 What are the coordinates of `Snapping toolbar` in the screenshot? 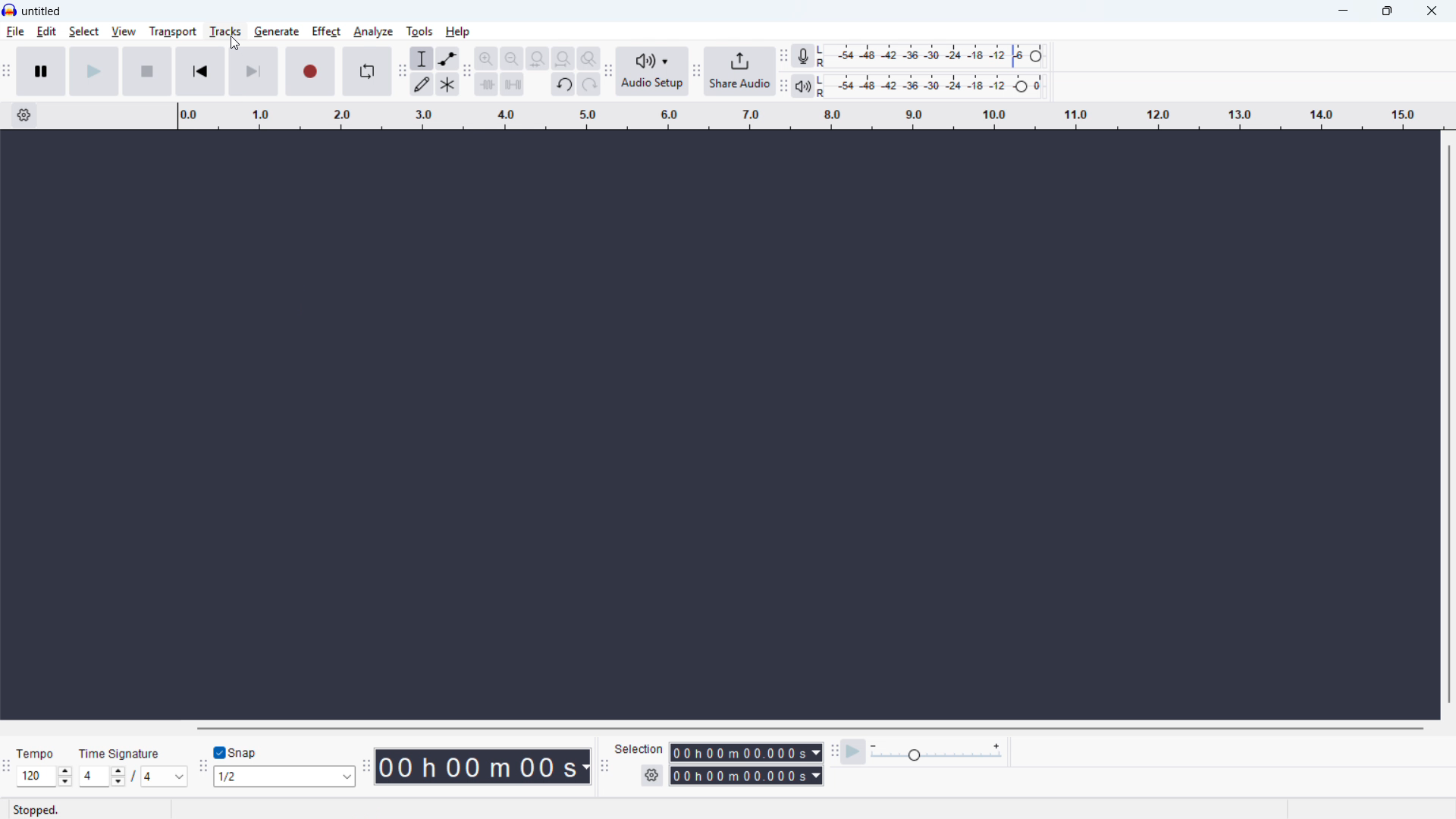 It's located at (204, 768).